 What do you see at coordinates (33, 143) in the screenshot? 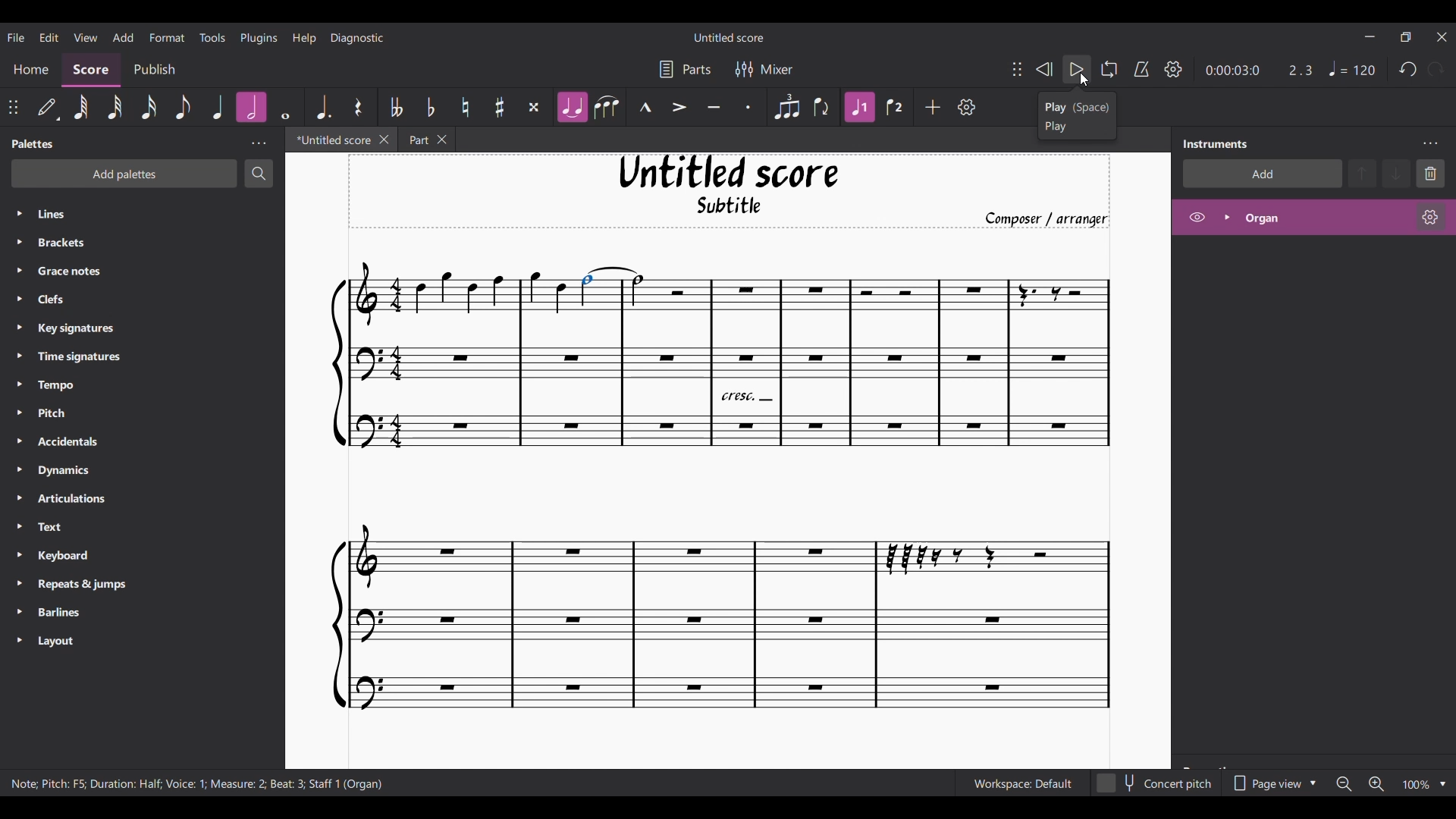
I see `Palette title` at bounding box center [33, 143].